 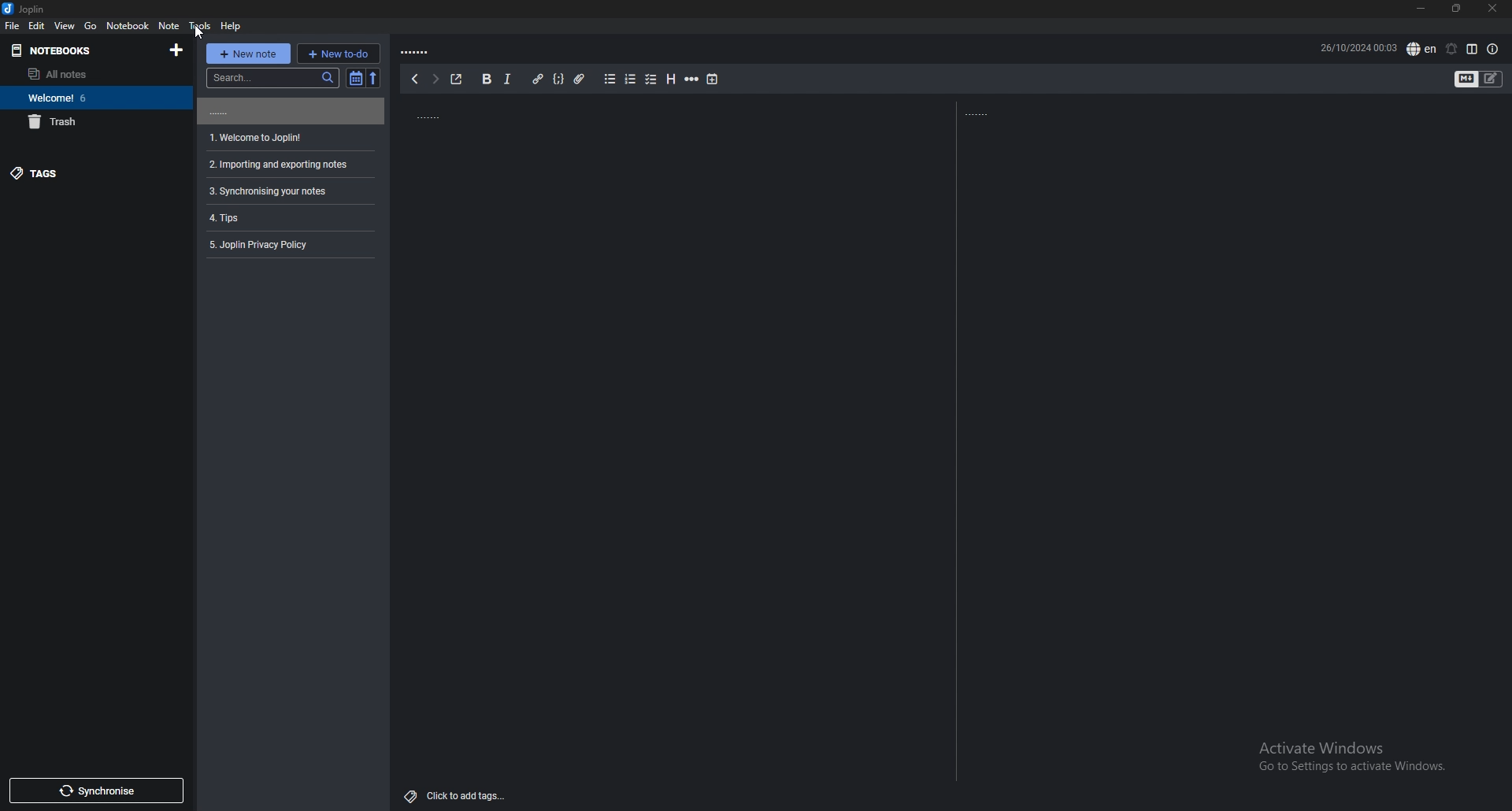 I want to click on view, so click(x=65, y=25).